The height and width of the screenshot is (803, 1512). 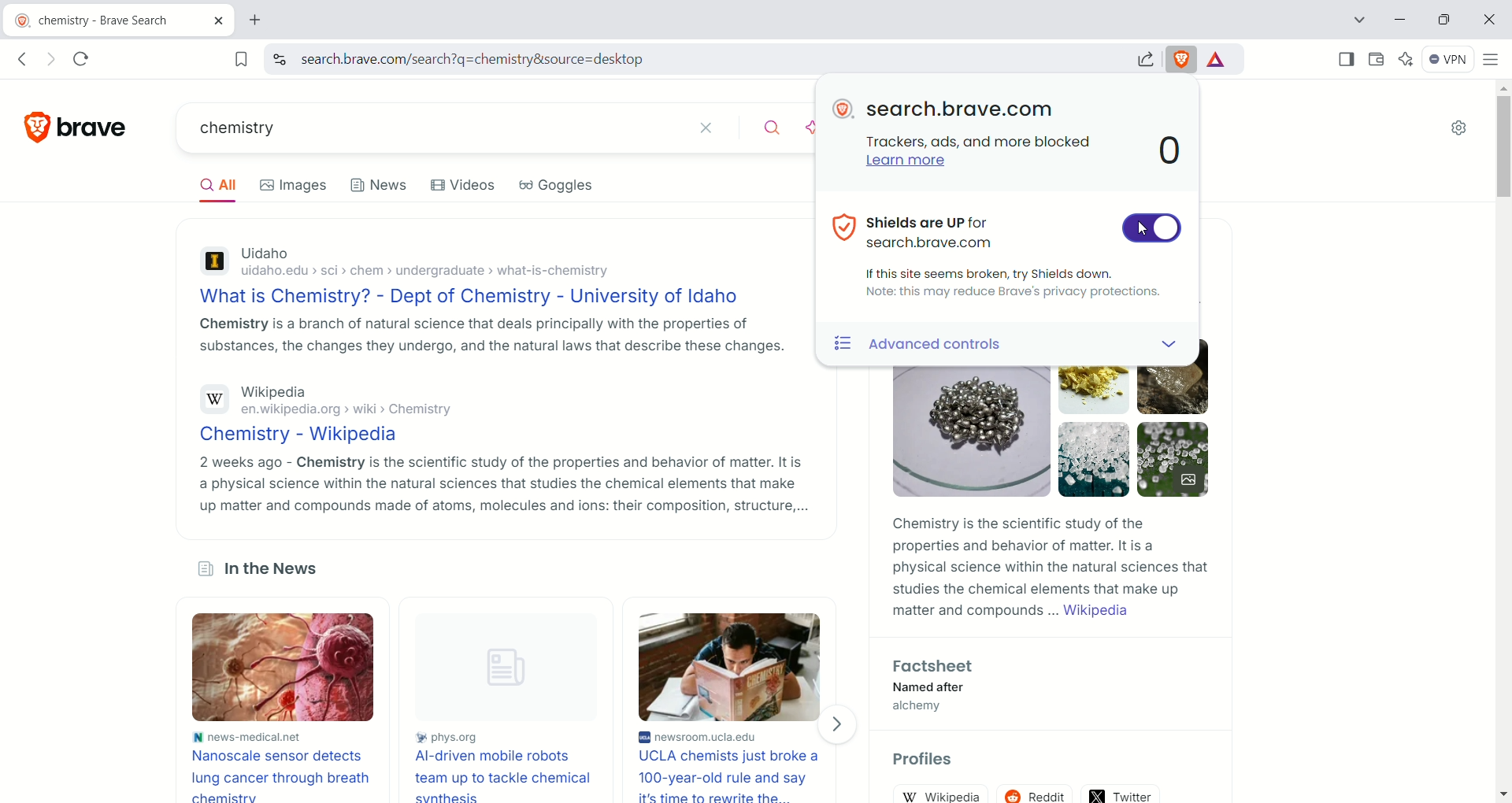 What do you see at coordinates (909, 165) in the screenshot?
I see `learn more` at bounding box center [909, 165].